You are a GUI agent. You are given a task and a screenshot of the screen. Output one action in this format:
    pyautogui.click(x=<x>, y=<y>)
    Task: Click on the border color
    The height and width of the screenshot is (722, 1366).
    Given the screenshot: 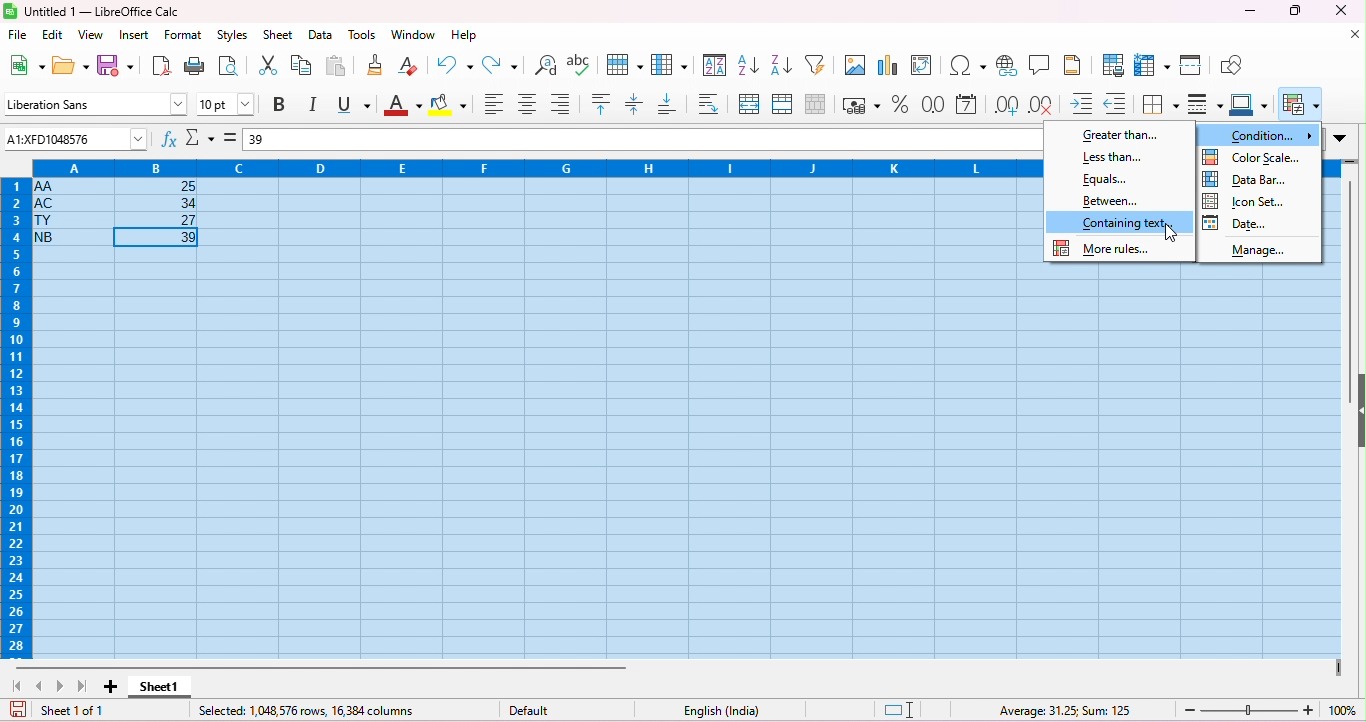 What is the action you would take?
    pyautogui.click(x=1251, y=104)
    